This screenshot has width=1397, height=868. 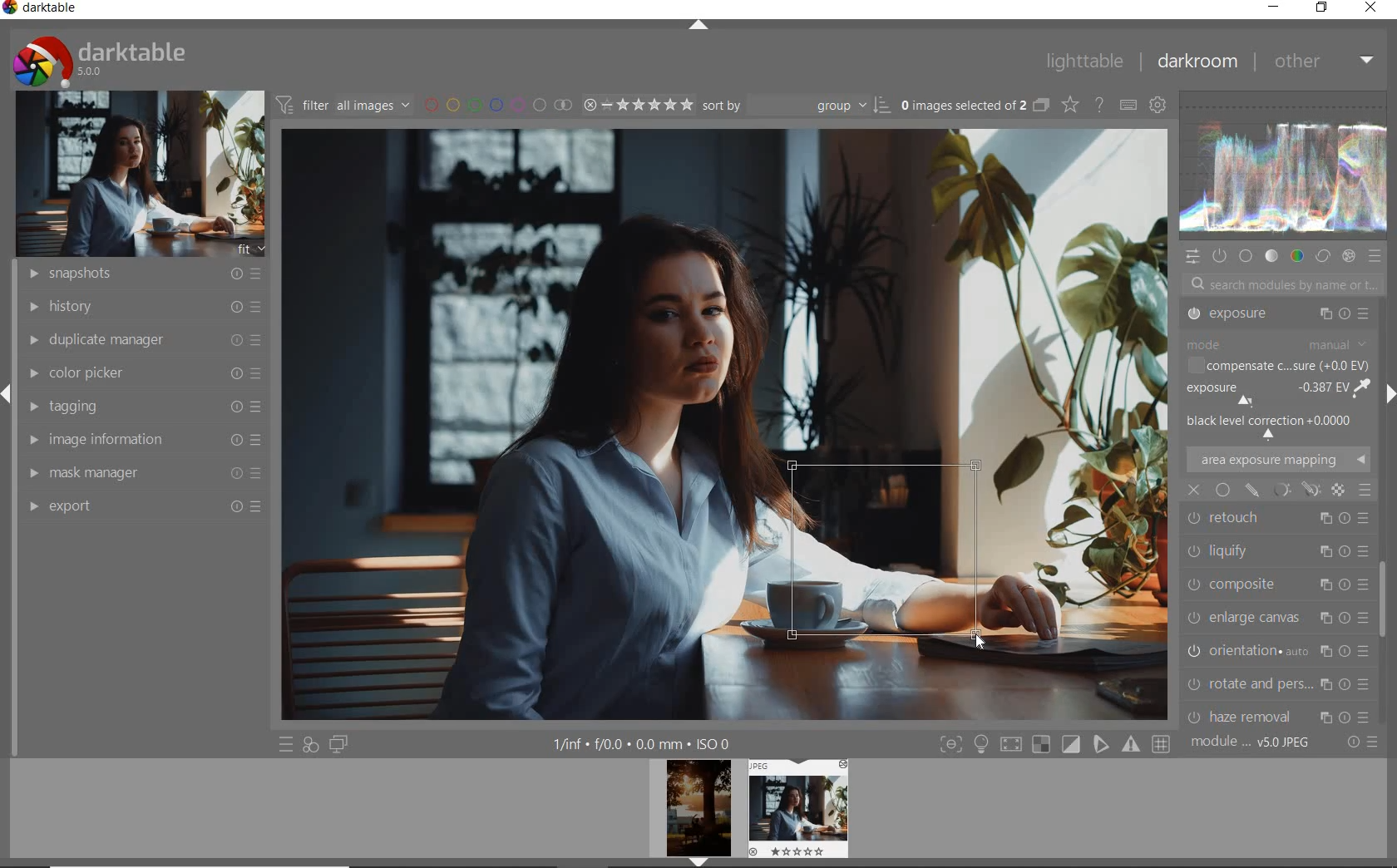 What do you see at coordinates (98, 59) in the screenshot?
I see `SYSTEM LOGO & NAME` at bounding box center [98, 59].